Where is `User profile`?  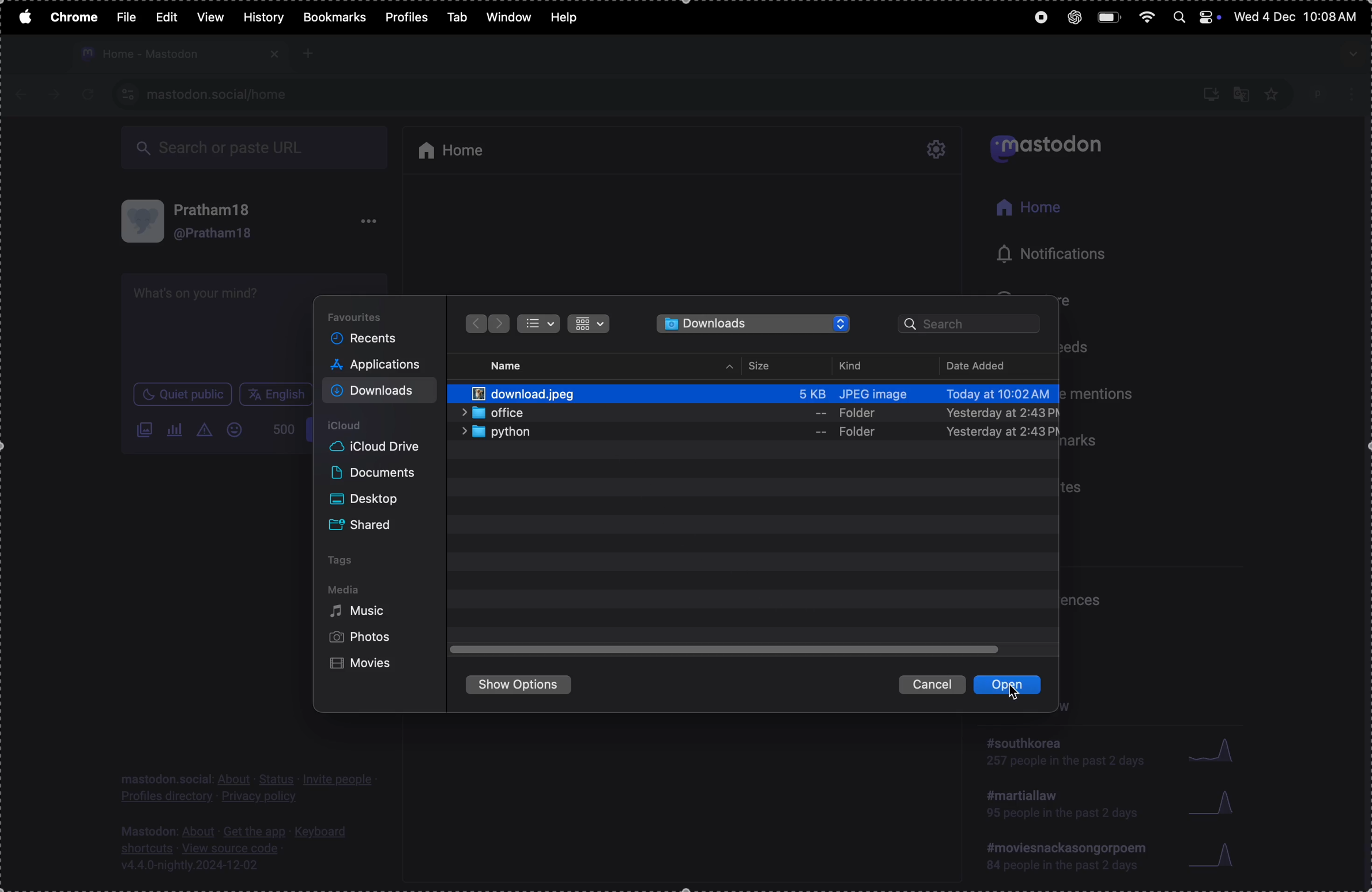
User profile is located at coordinates (226, 221).